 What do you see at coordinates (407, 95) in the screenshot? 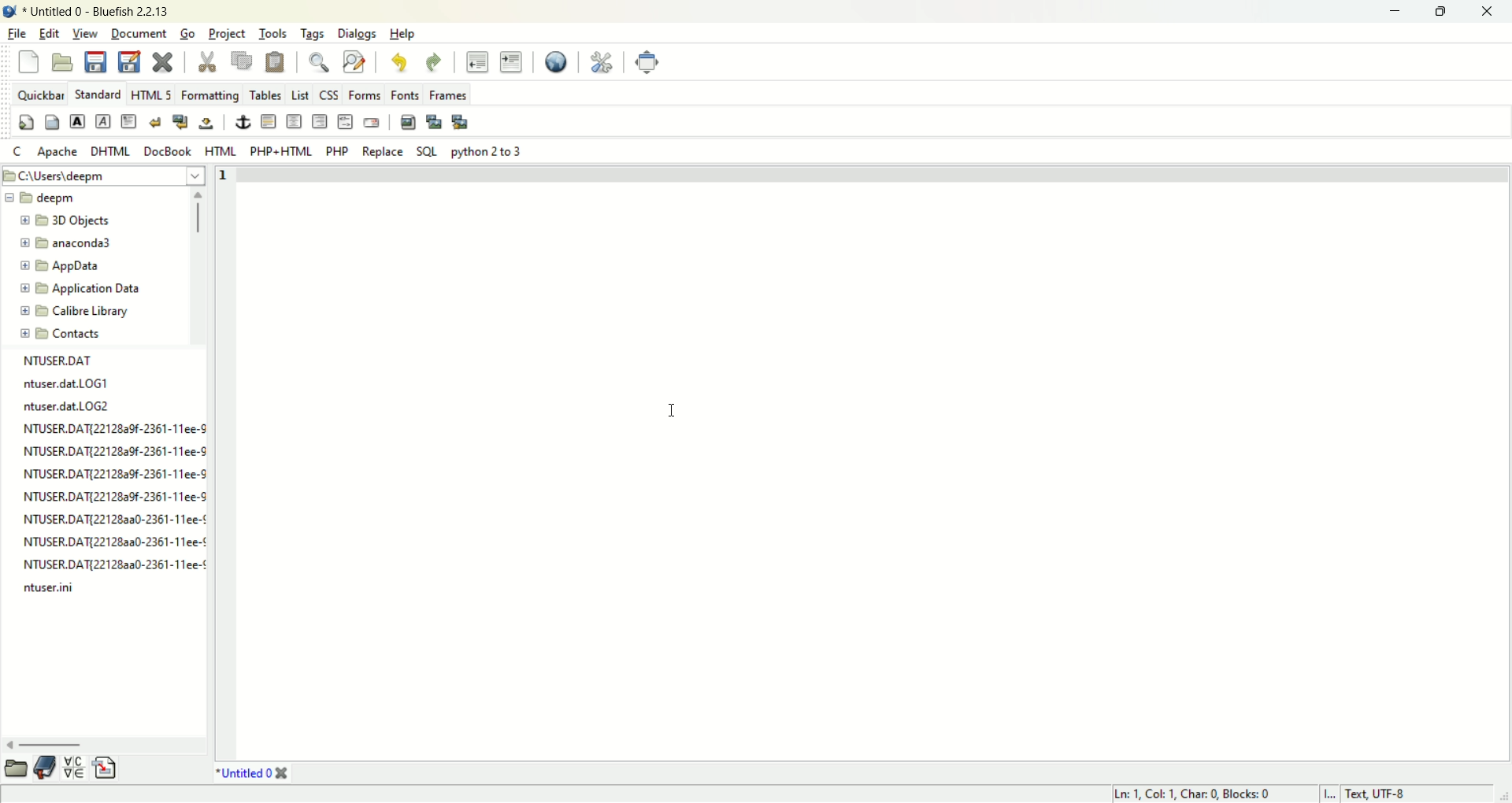
I see `fonts` at bounding box center [407, 95].